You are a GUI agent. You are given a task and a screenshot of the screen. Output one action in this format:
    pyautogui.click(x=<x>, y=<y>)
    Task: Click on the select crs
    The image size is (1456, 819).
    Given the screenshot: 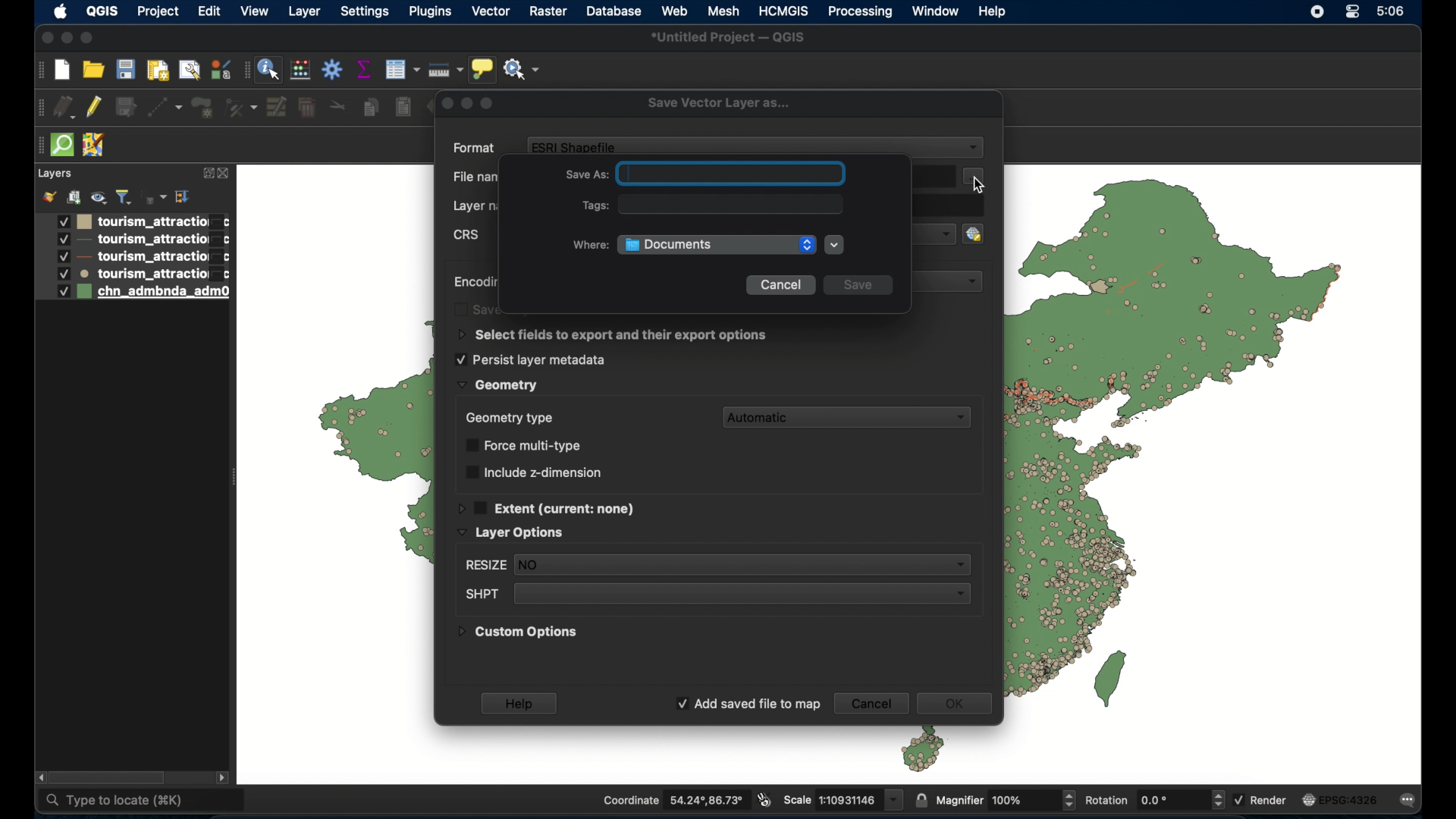 What is the action you would take?
    pyautogui.click(x=981, y=233)
    